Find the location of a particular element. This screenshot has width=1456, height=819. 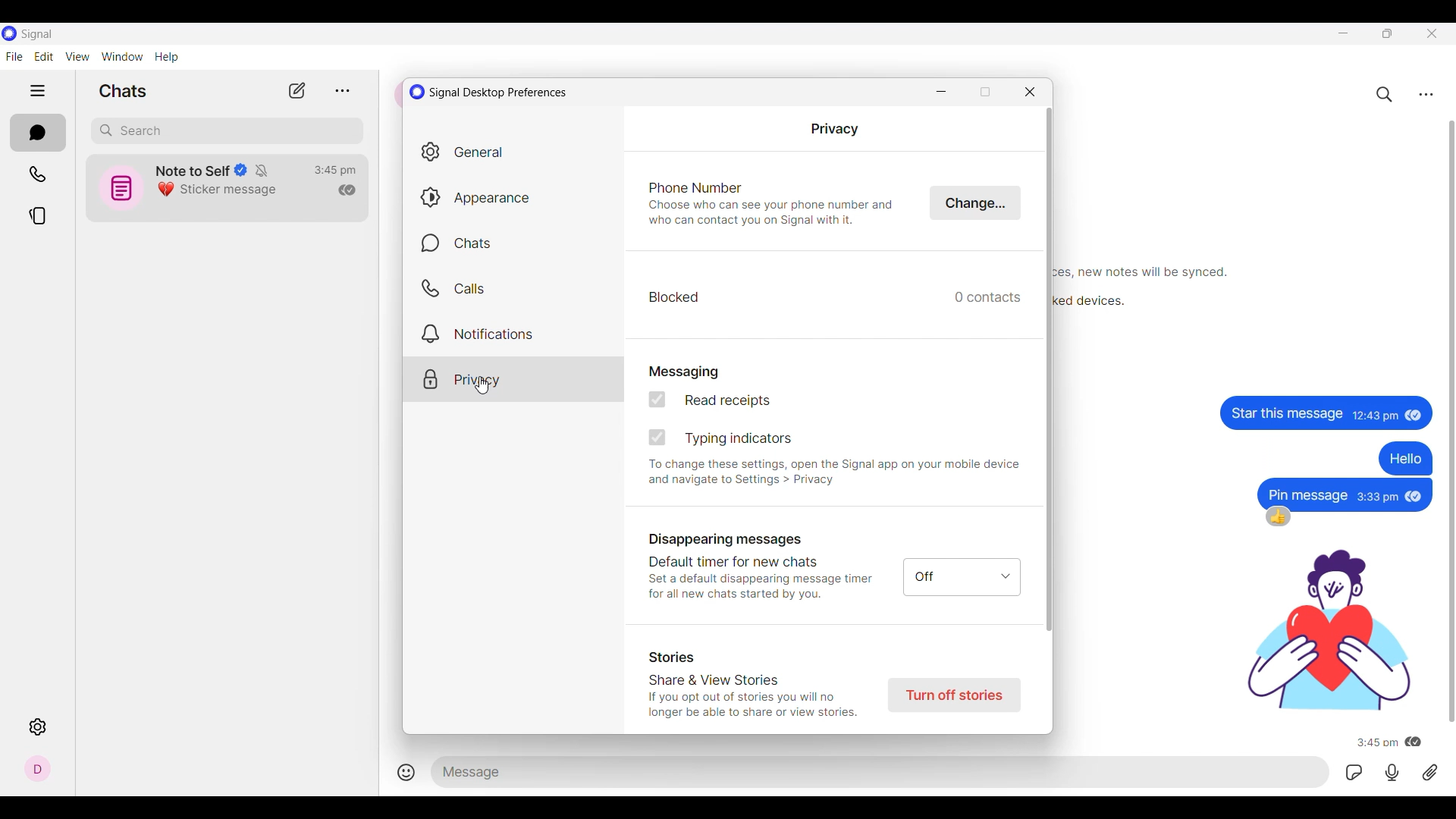

text message is located at coordinates (1307, 494).